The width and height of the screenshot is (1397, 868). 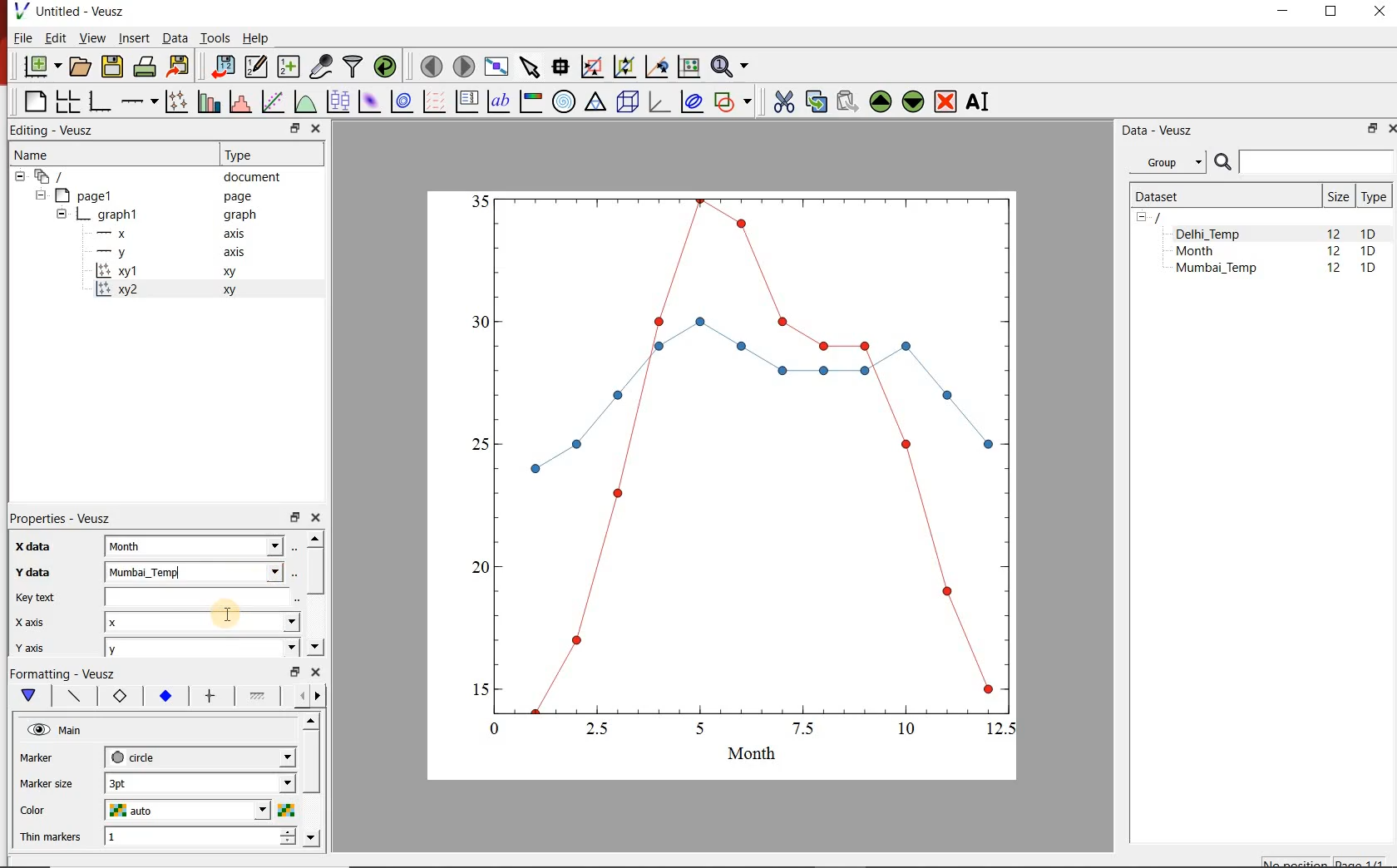 I want to click on Dataset, so click(x=1221, y=196).